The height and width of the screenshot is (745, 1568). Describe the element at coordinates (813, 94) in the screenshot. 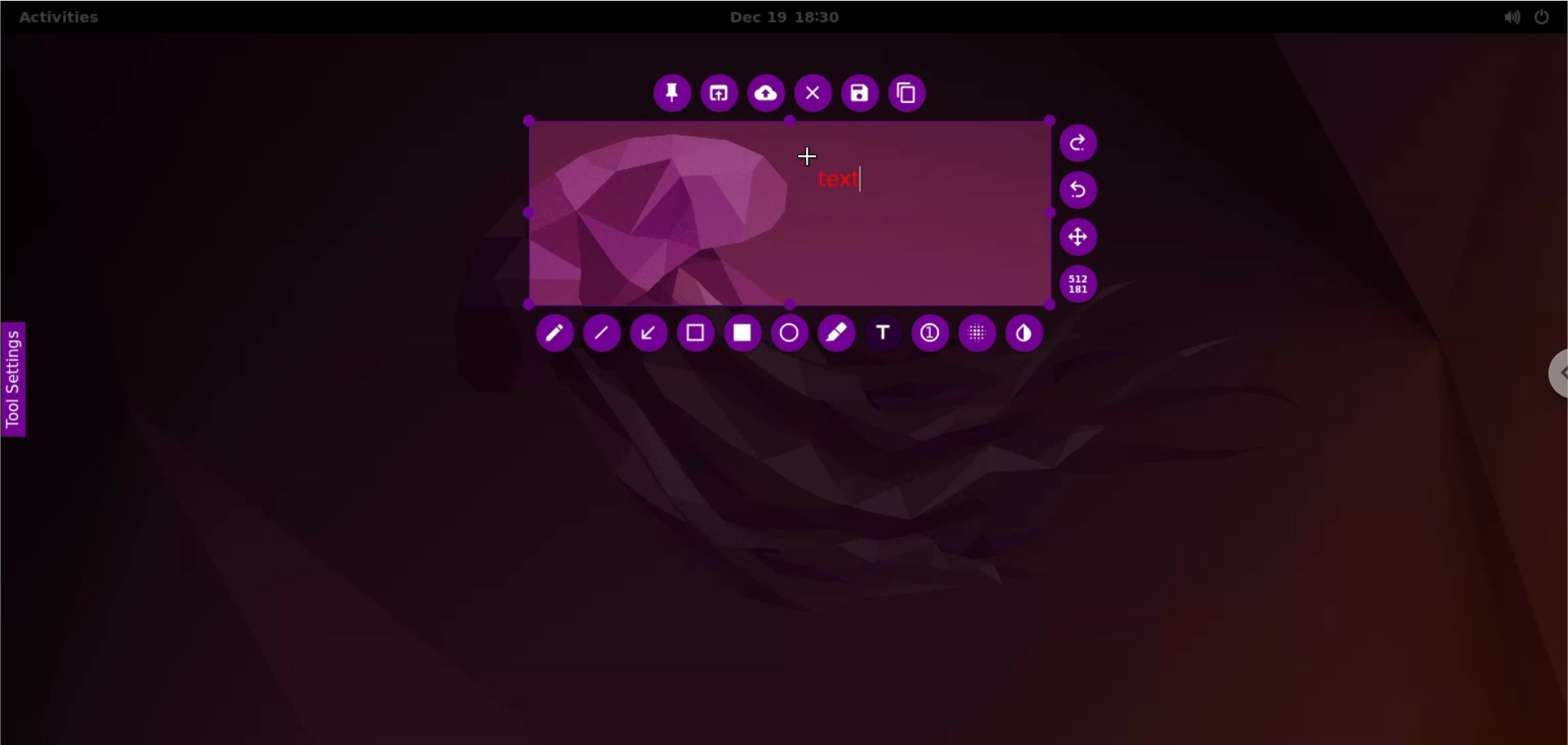

I see `close capture` at that location.